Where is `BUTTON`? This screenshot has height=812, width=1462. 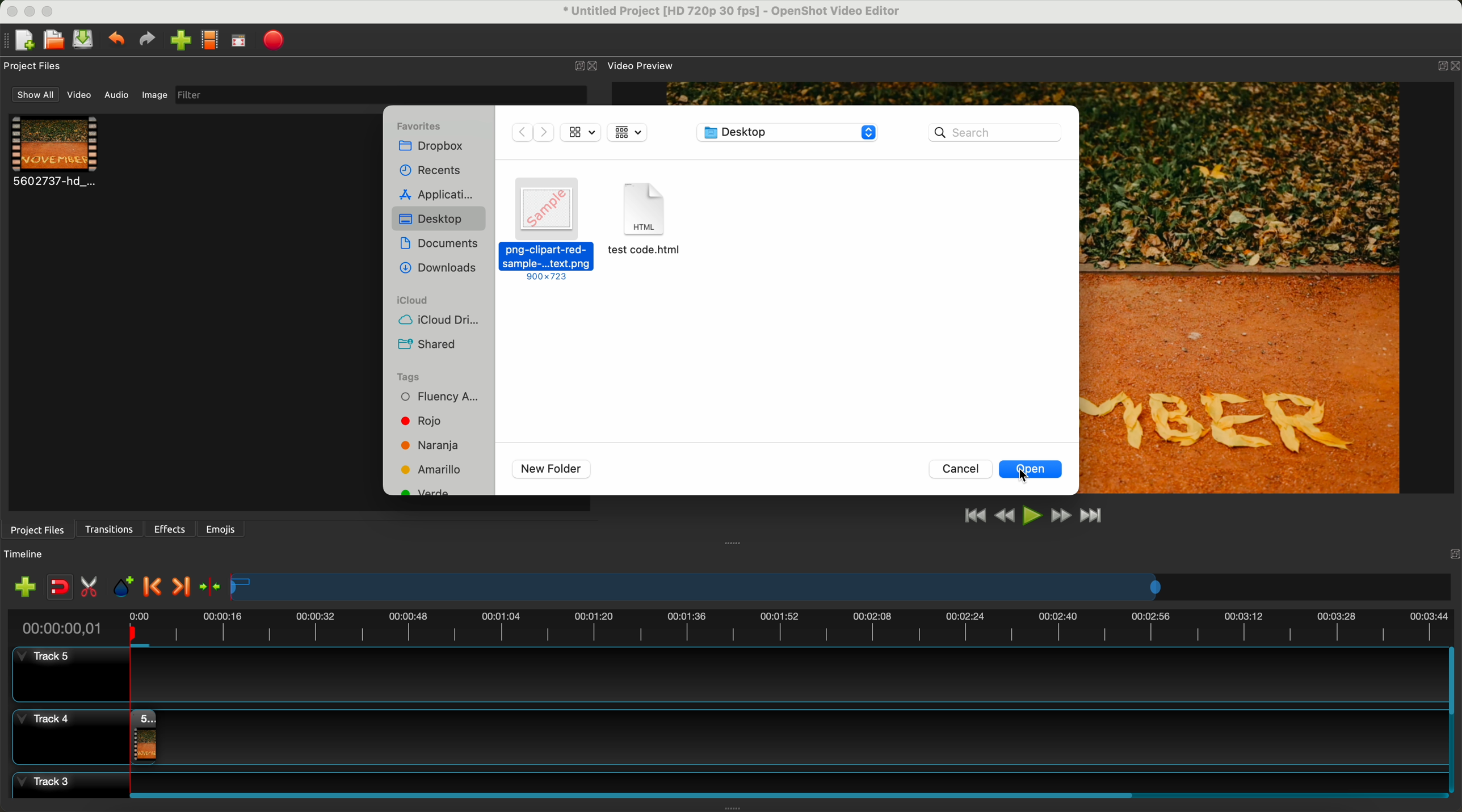 BUTTON is located at coordinates (1439, 63).